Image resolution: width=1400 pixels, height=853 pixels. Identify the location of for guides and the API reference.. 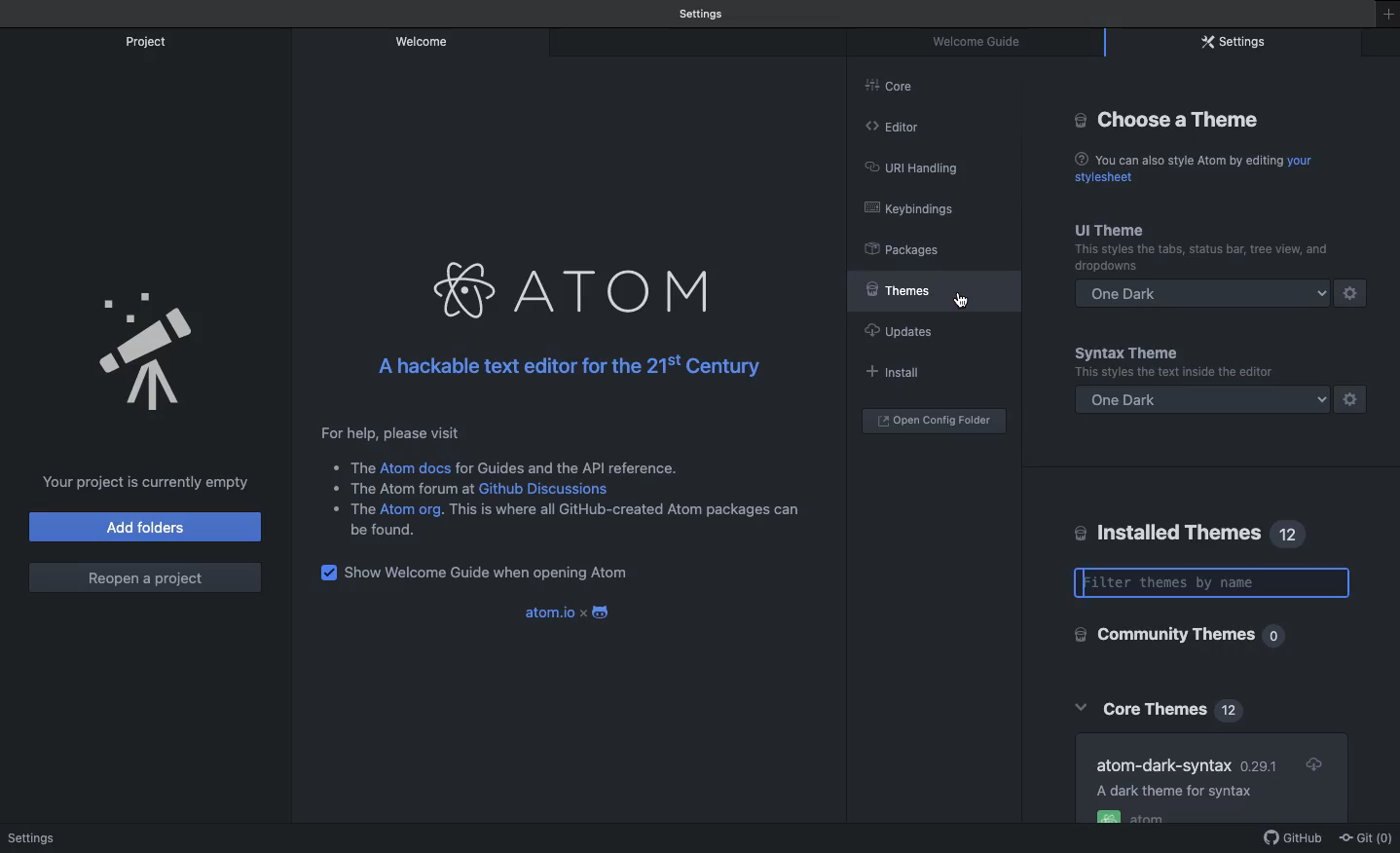
(568, 464).